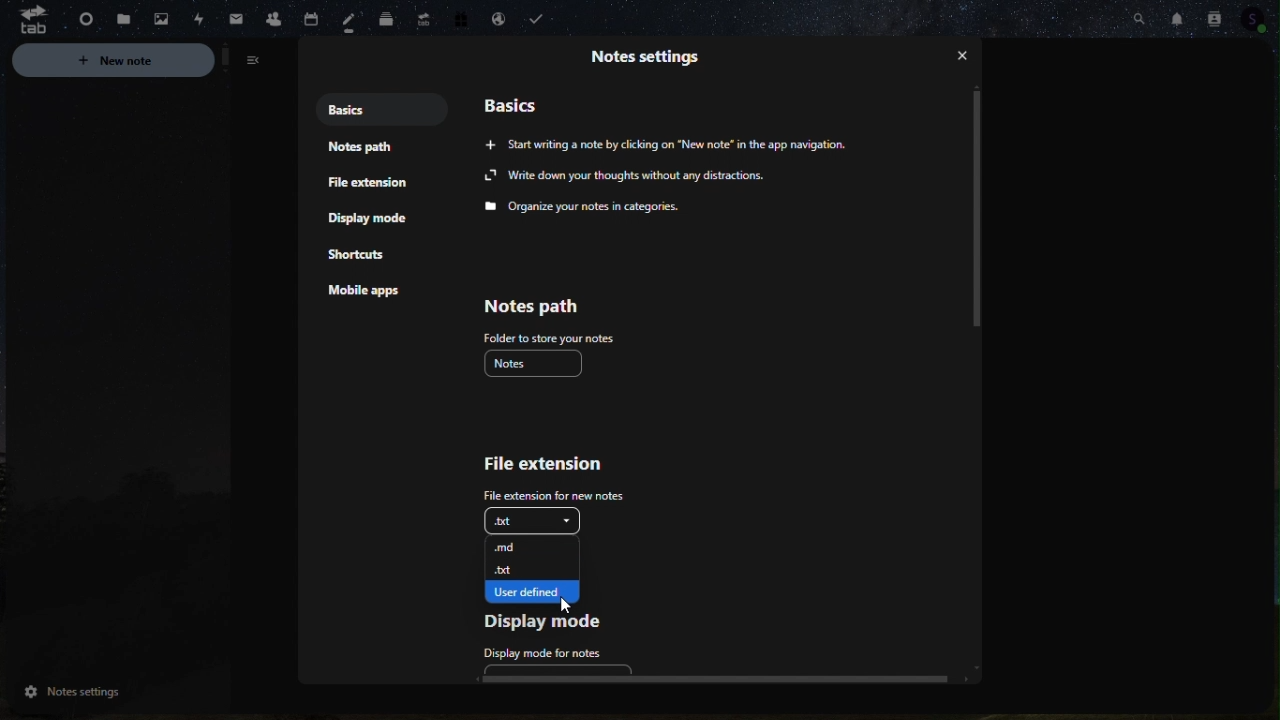 Image resolution: width=1280 pixels, height=720 pixels. Describe the element at coordinates (377, 296) in the screenshot. I see `mobile apps` at that location.